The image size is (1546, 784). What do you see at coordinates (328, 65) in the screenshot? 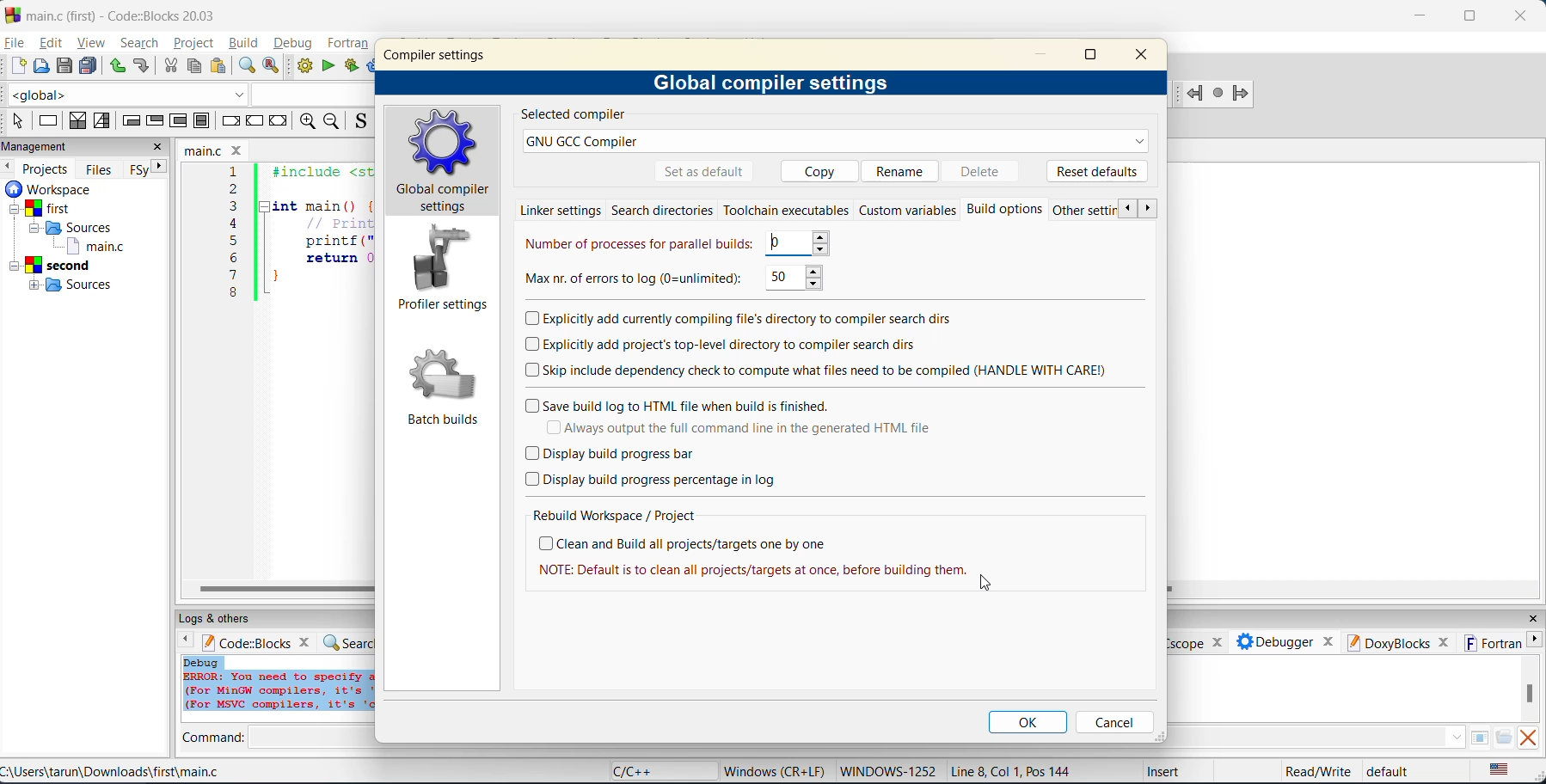
I see `run` at bounding box center [328, 65].